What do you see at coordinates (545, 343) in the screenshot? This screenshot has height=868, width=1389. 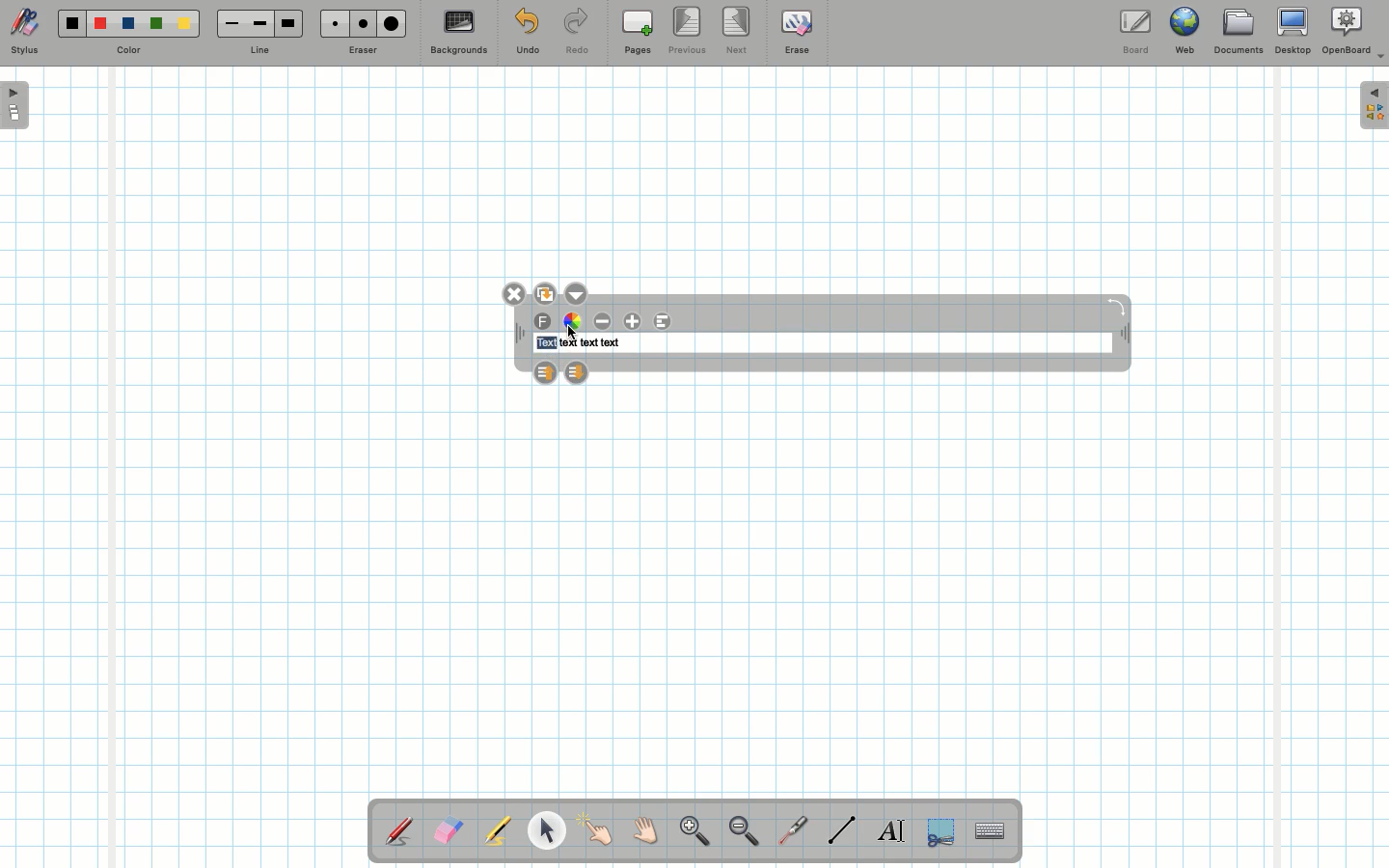 I see `text` at bounding box center [545, 343].